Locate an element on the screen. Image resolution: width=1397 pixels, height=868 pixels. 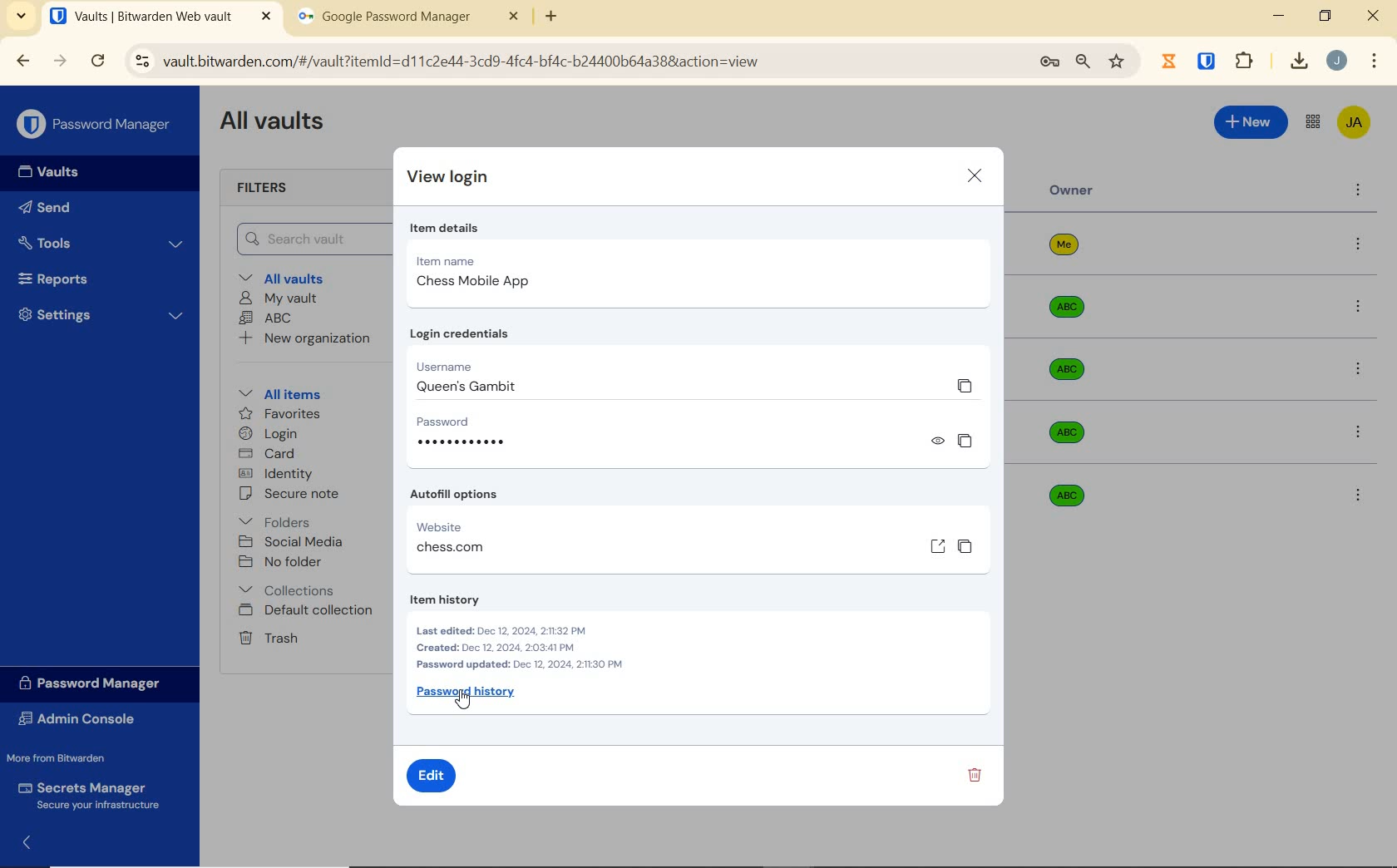
close is located at coordinates (975, 178).